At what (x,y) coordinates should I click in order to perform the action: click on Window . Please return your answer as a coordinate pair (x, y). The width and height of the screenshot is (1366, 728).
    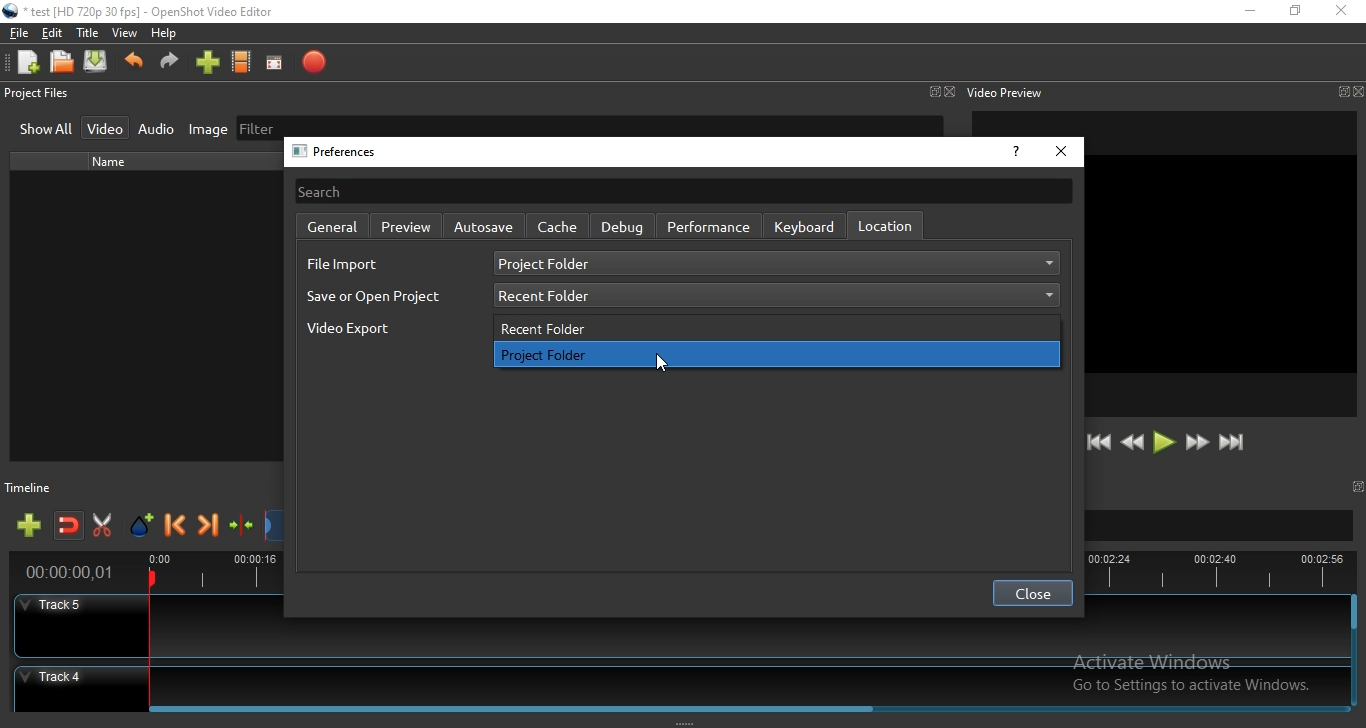
    Looking at the image, I should click on (933, 91).